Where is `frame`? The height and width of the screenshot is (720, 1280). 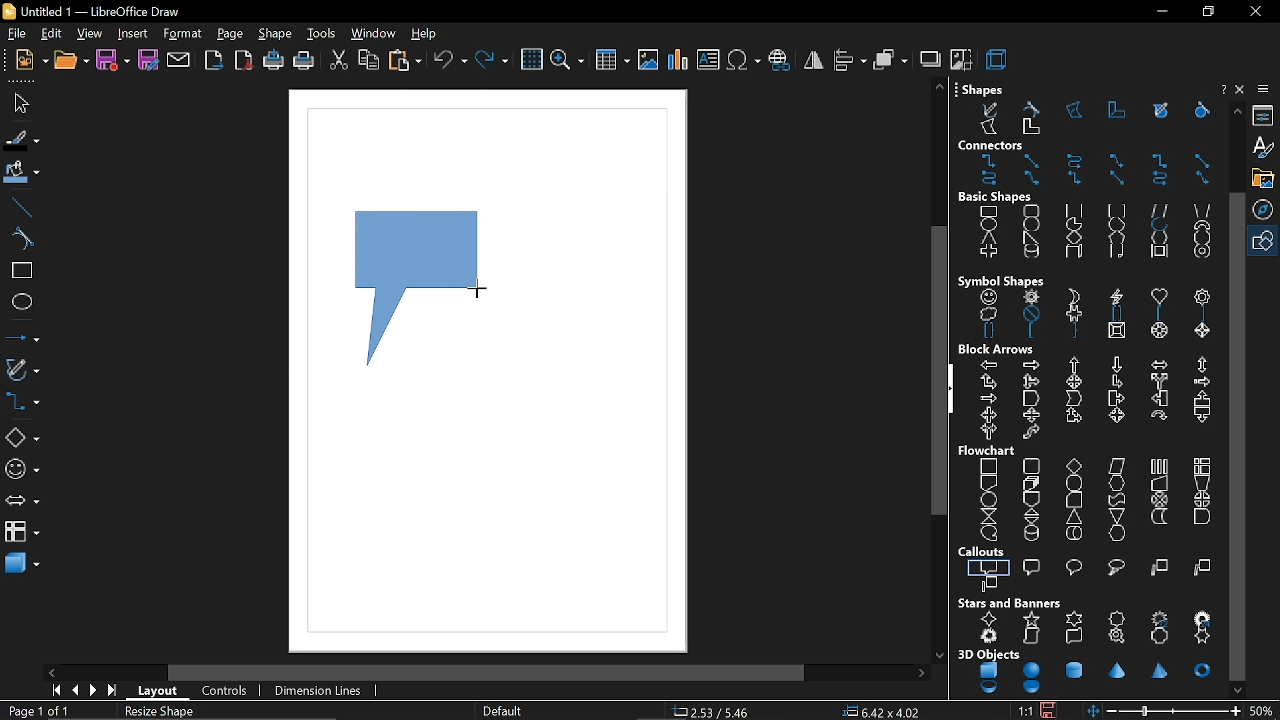
frame is located at coordinates (1156, 252).